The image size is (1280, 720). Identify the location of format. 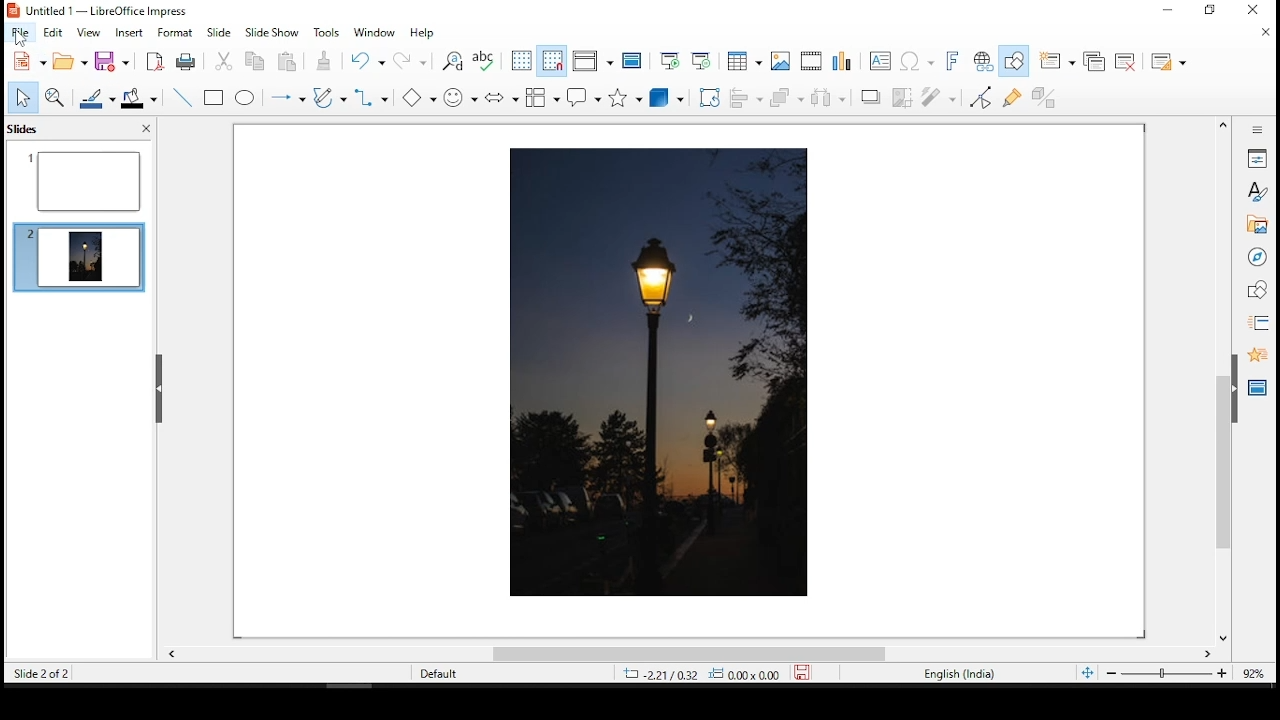
(175, 33).